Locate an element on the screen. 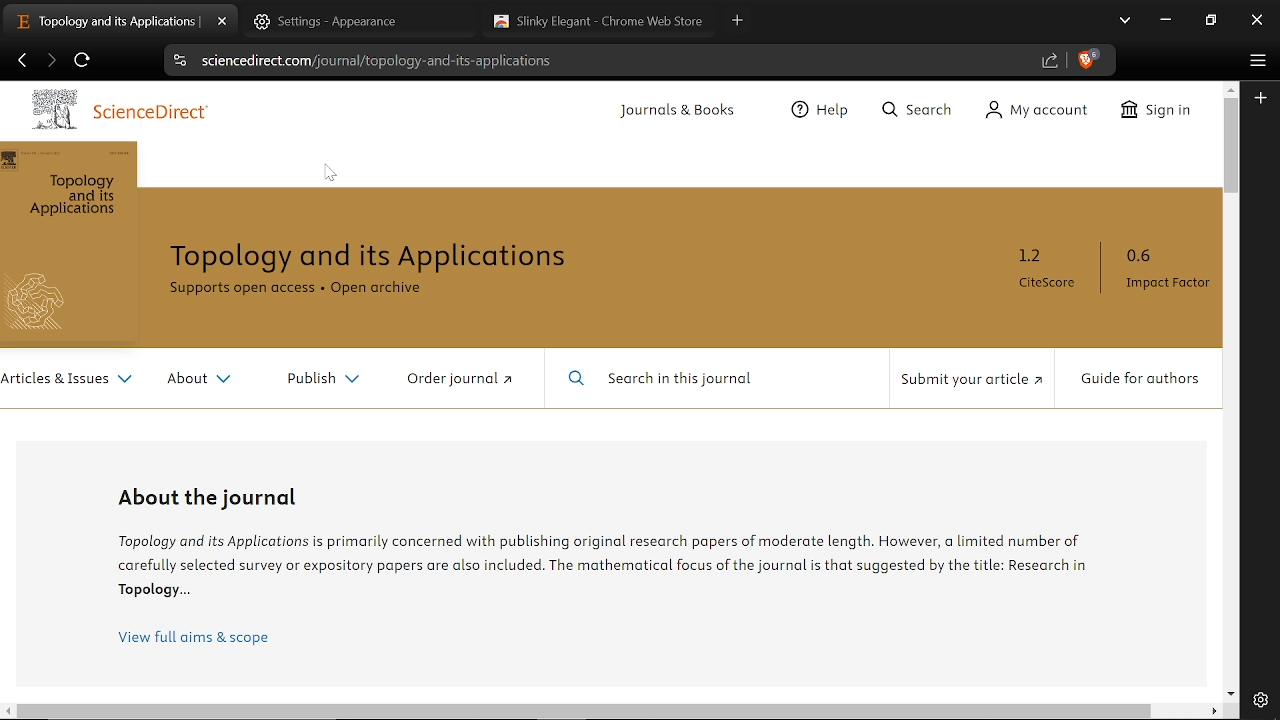  Information about topology is located at coordinates (615, 564).